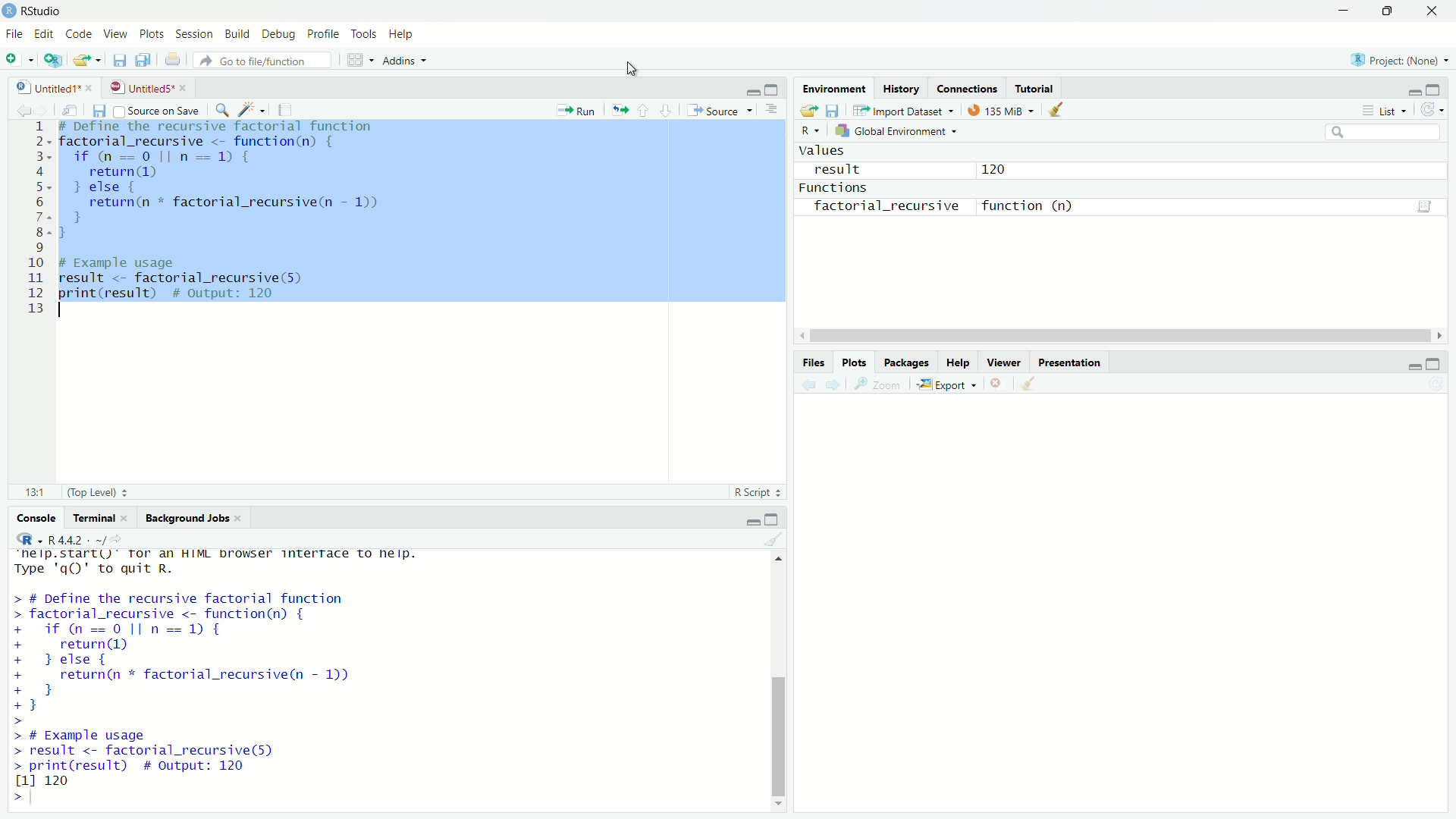 The height and width of the screenshot is (819, 1456). What do you see at coordinates (968, 86) in the screenshot?
I see `Connections` at bounding box center [968, 86].